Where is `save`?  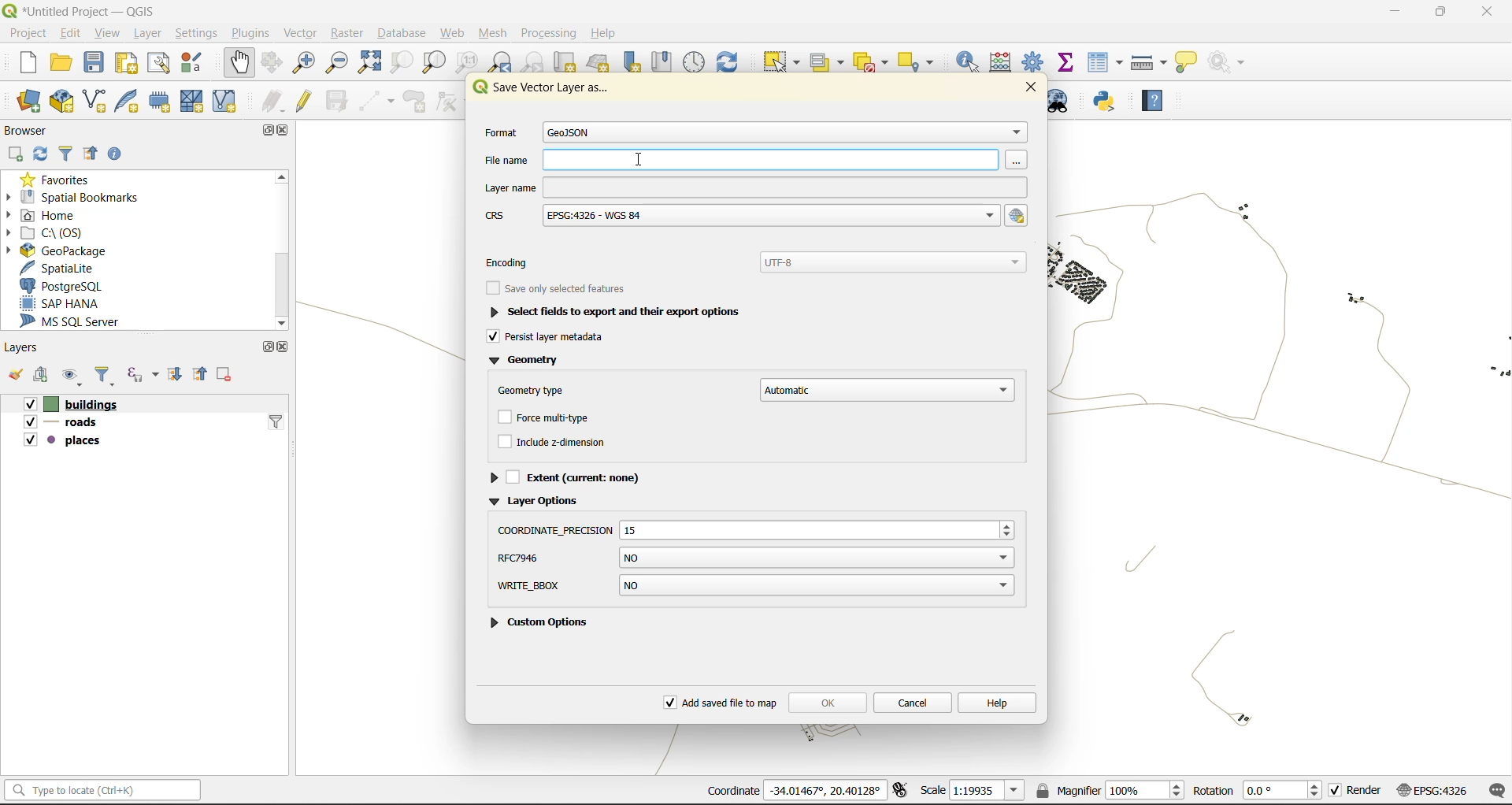 save is located at coordinates (94, 65).